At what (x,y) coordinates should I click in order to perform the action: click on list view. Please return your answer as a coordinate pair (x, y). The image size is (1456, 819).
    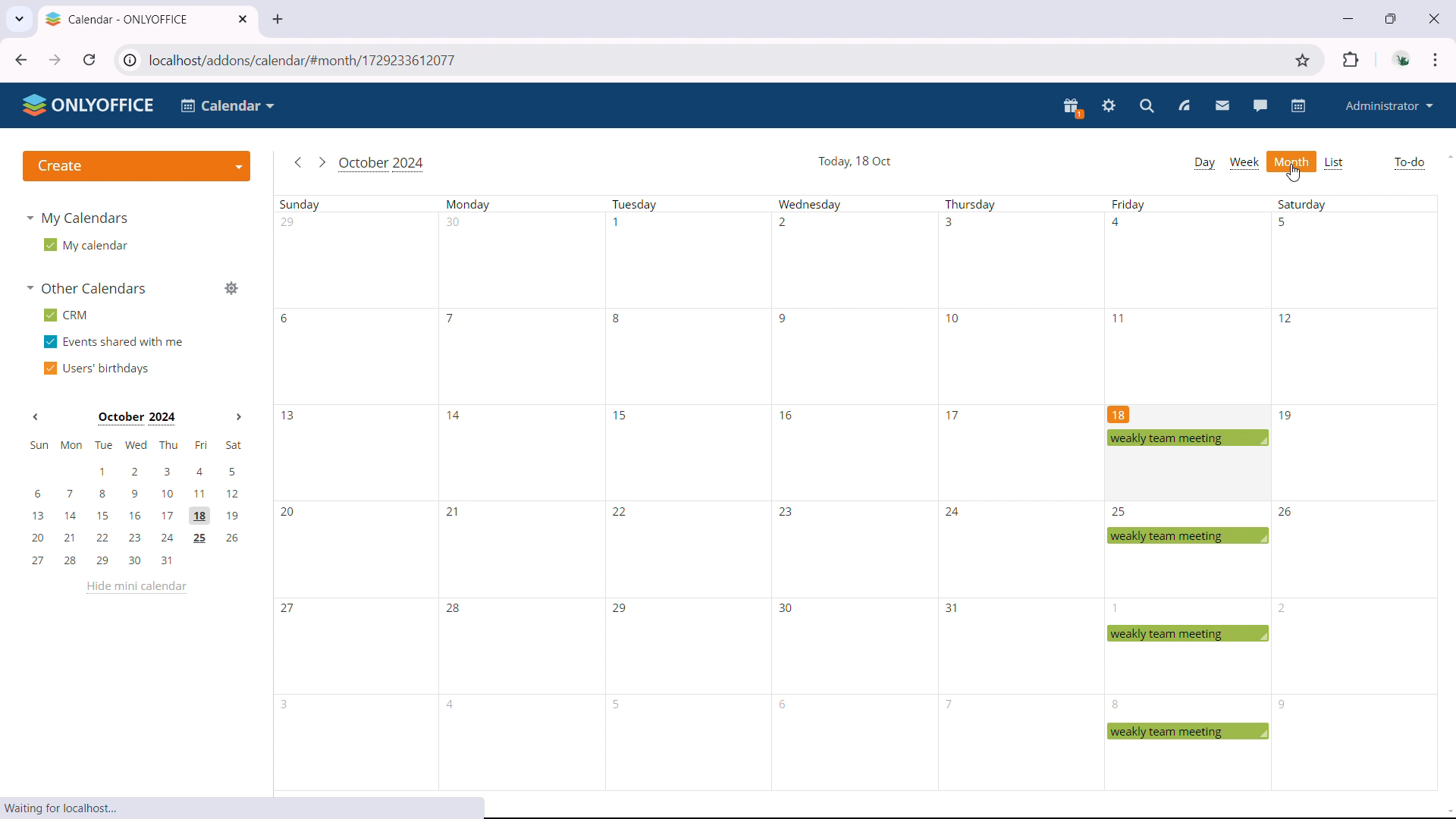
    Looking at the image, I should click on (1335, 163).